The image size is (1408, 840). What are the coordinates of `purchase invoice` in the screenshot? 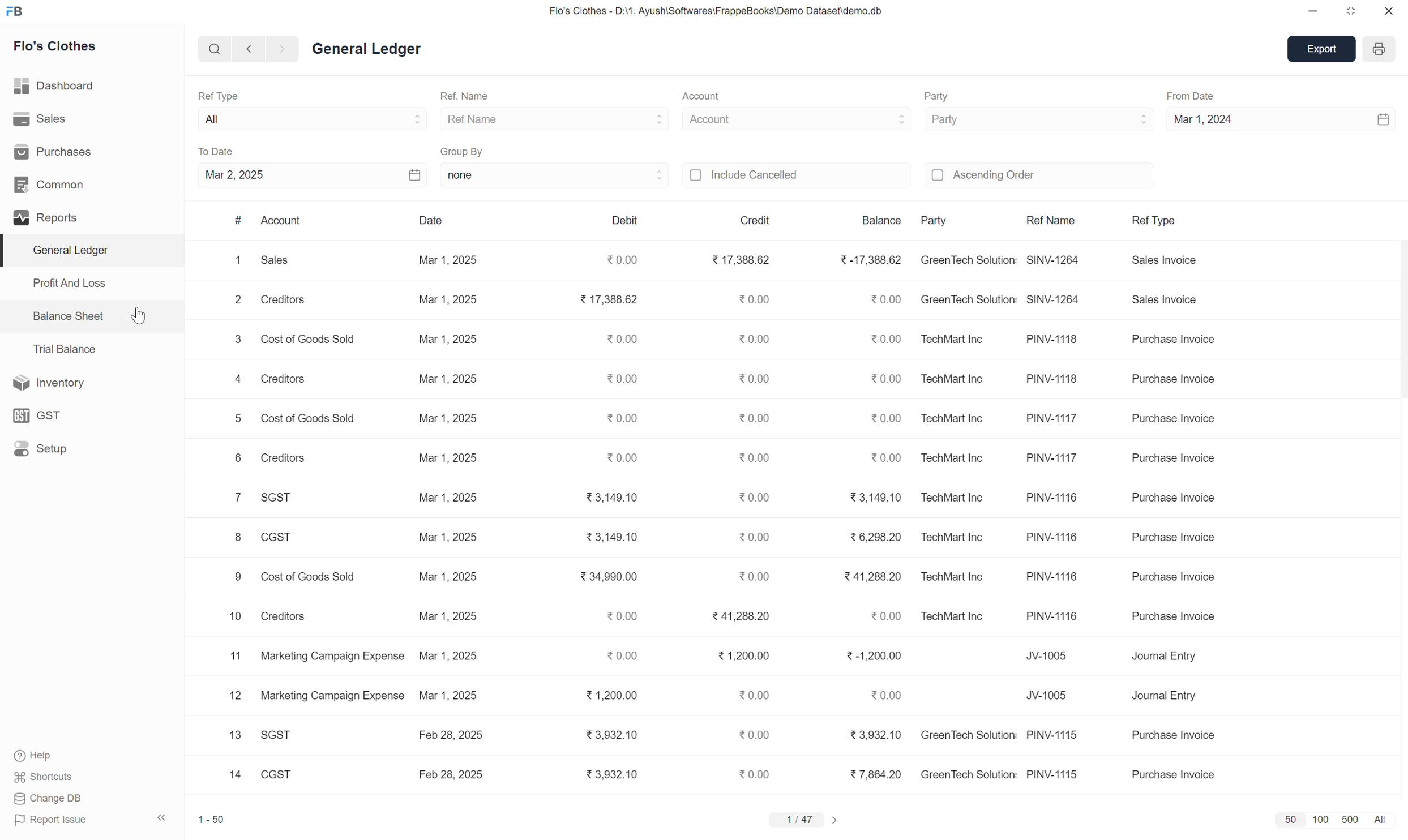 It's located at (1177, 735).